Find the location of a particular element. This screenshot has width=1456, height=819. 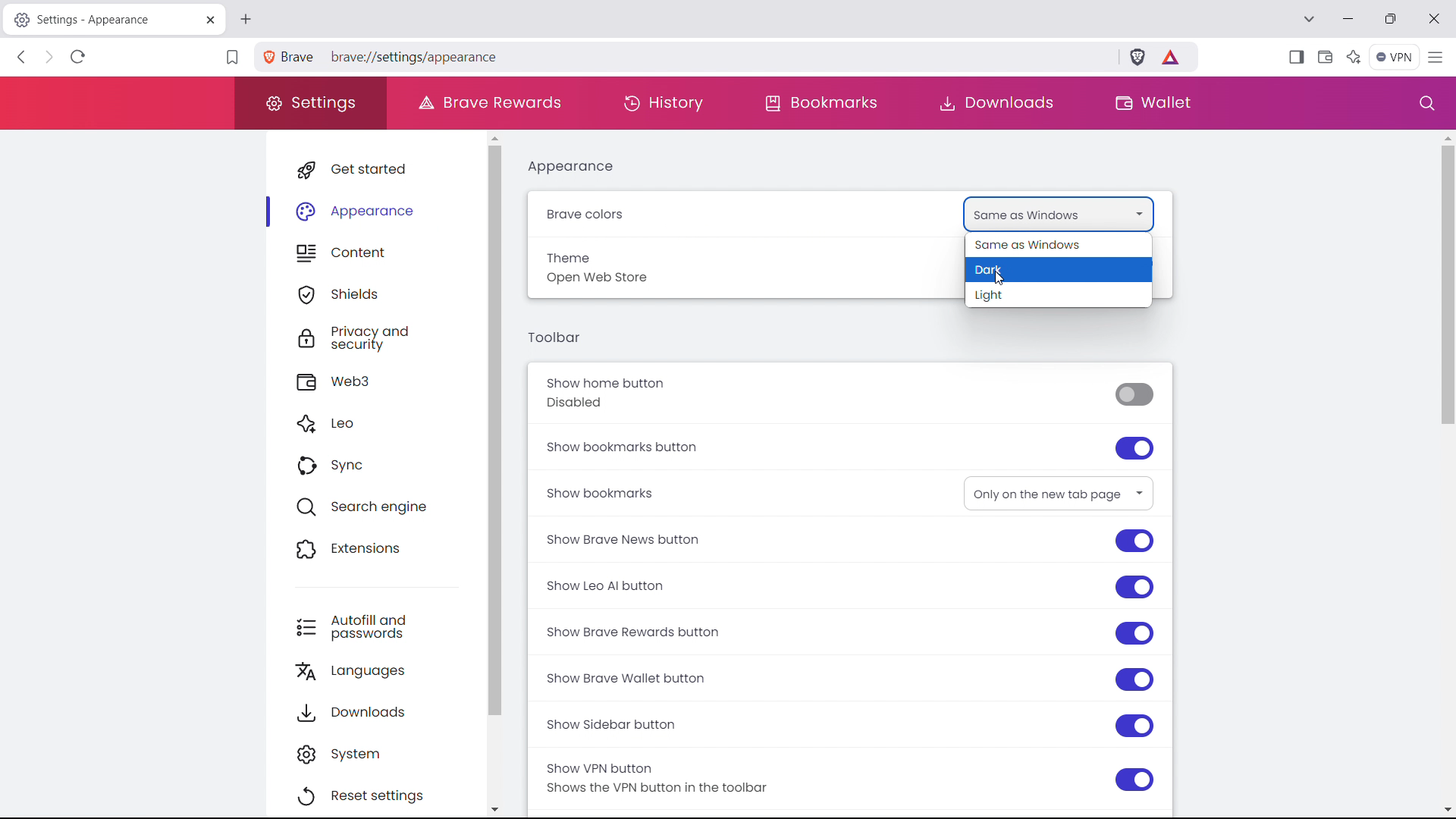

Show bookmarks is located at coordinates (621, 493).